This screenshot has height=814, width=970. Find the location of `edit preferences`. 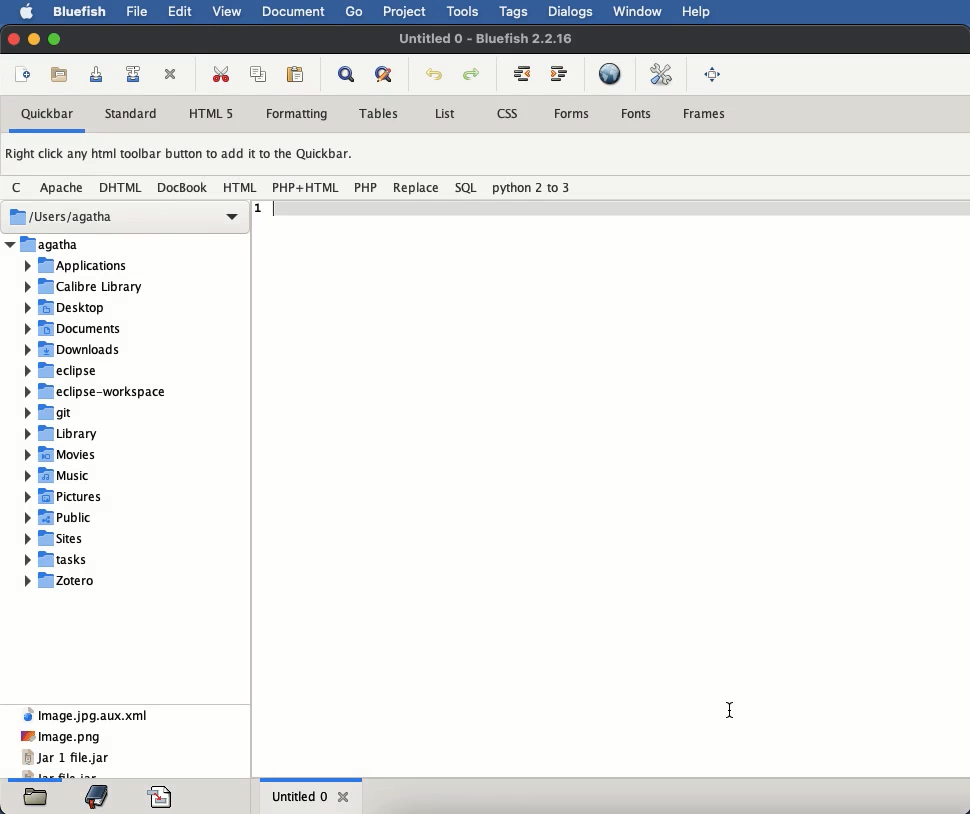

edit preferences is located at coordinates (664, 75).